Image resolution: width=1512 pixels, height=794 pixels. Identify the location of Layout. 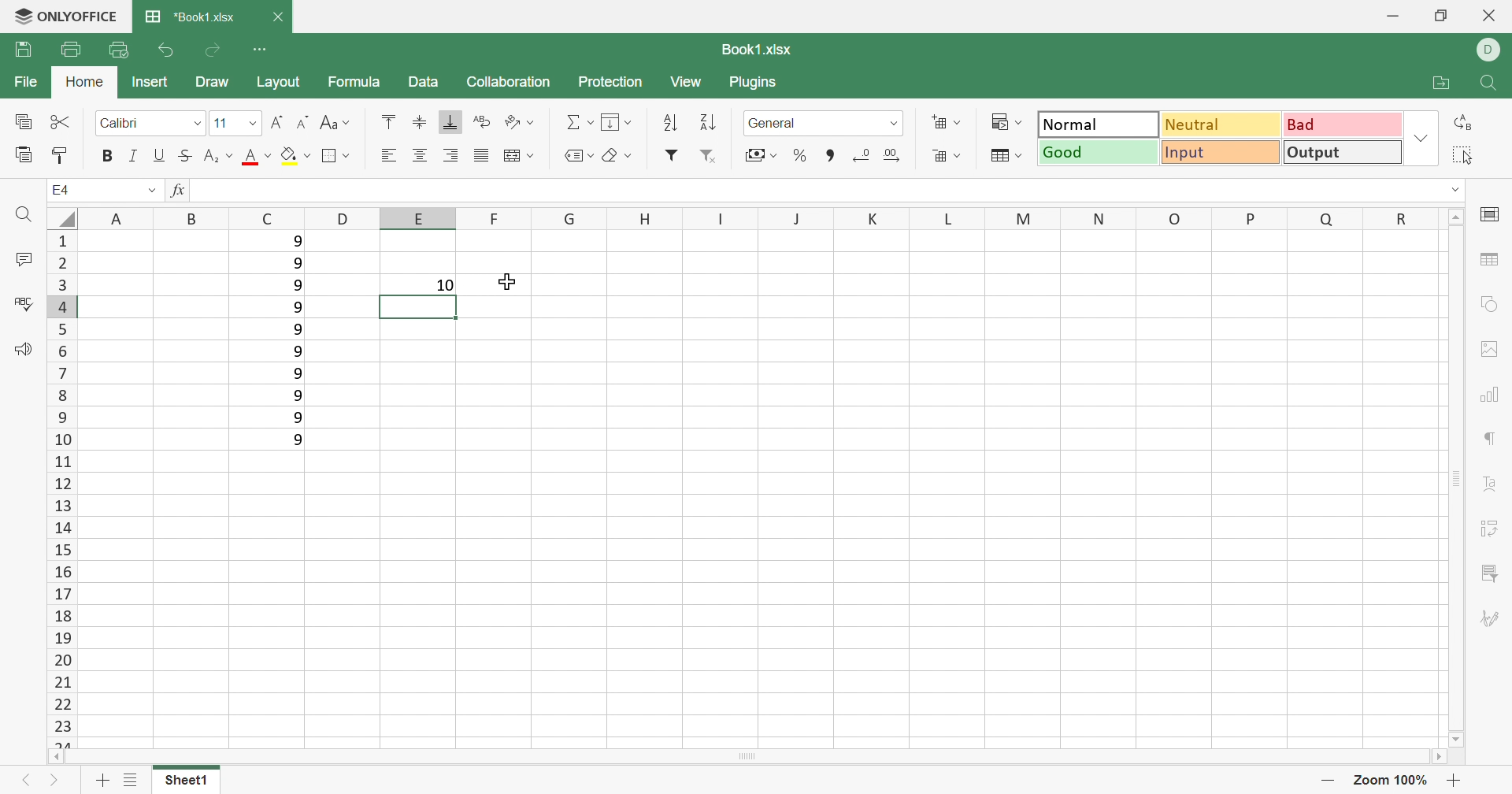
(277, 82).